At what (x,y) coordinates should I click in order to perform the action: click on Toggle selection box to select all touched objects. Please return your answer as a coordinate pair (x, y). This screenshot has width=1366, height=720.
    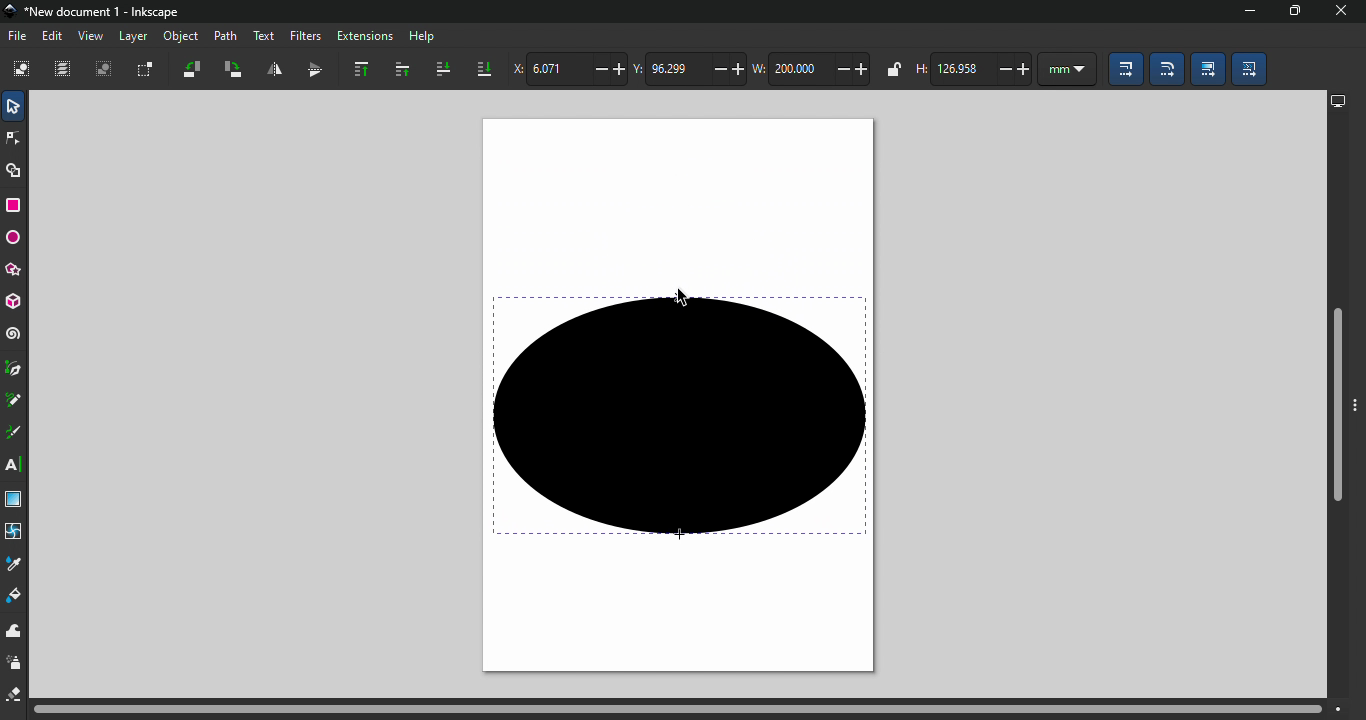
    Looking at the image, I should click on (143, 70).